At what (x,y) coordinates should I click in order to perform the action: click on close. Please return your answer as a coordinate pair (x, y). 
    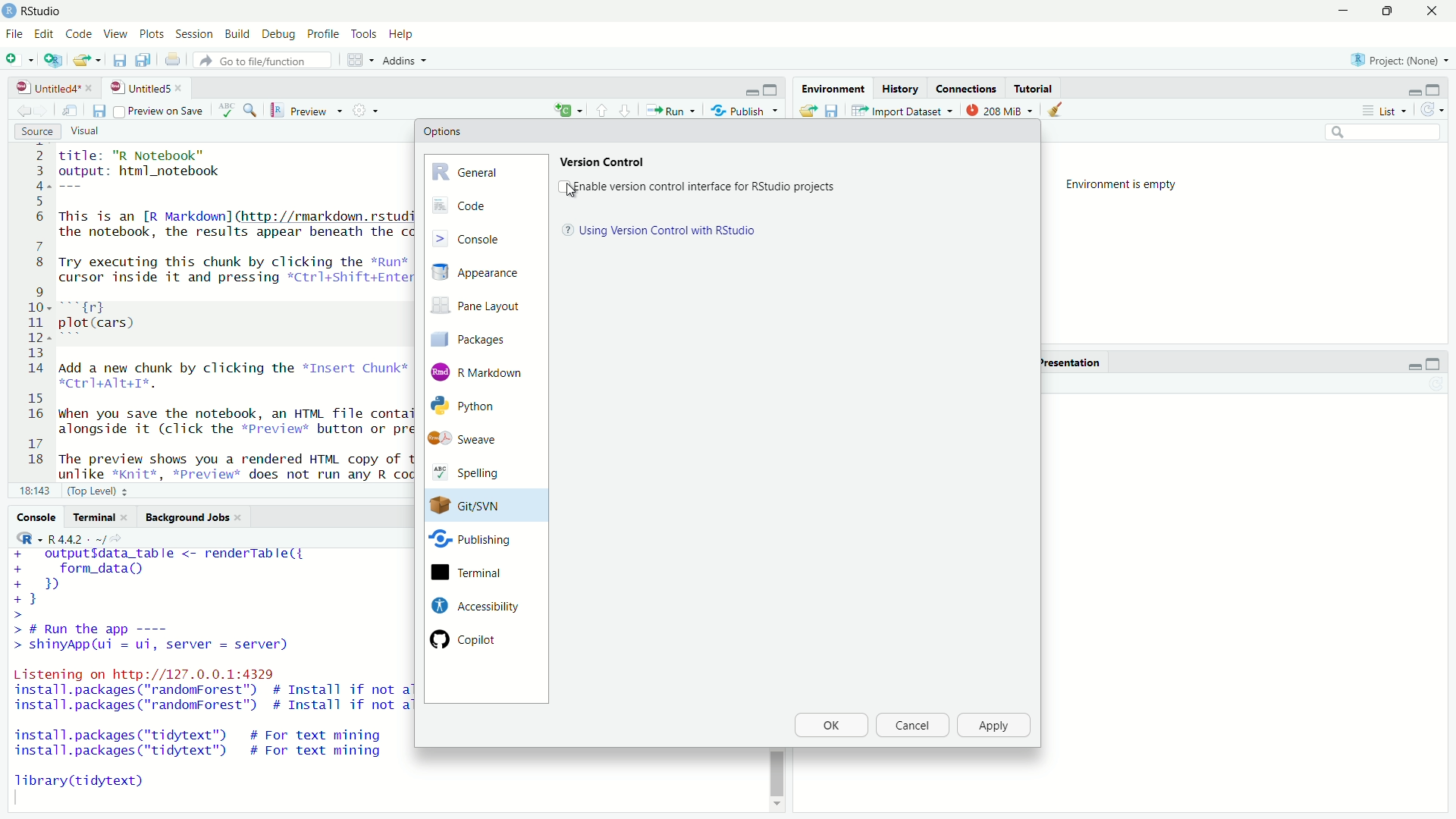
    Looking at the image, I should click on (182, 88).